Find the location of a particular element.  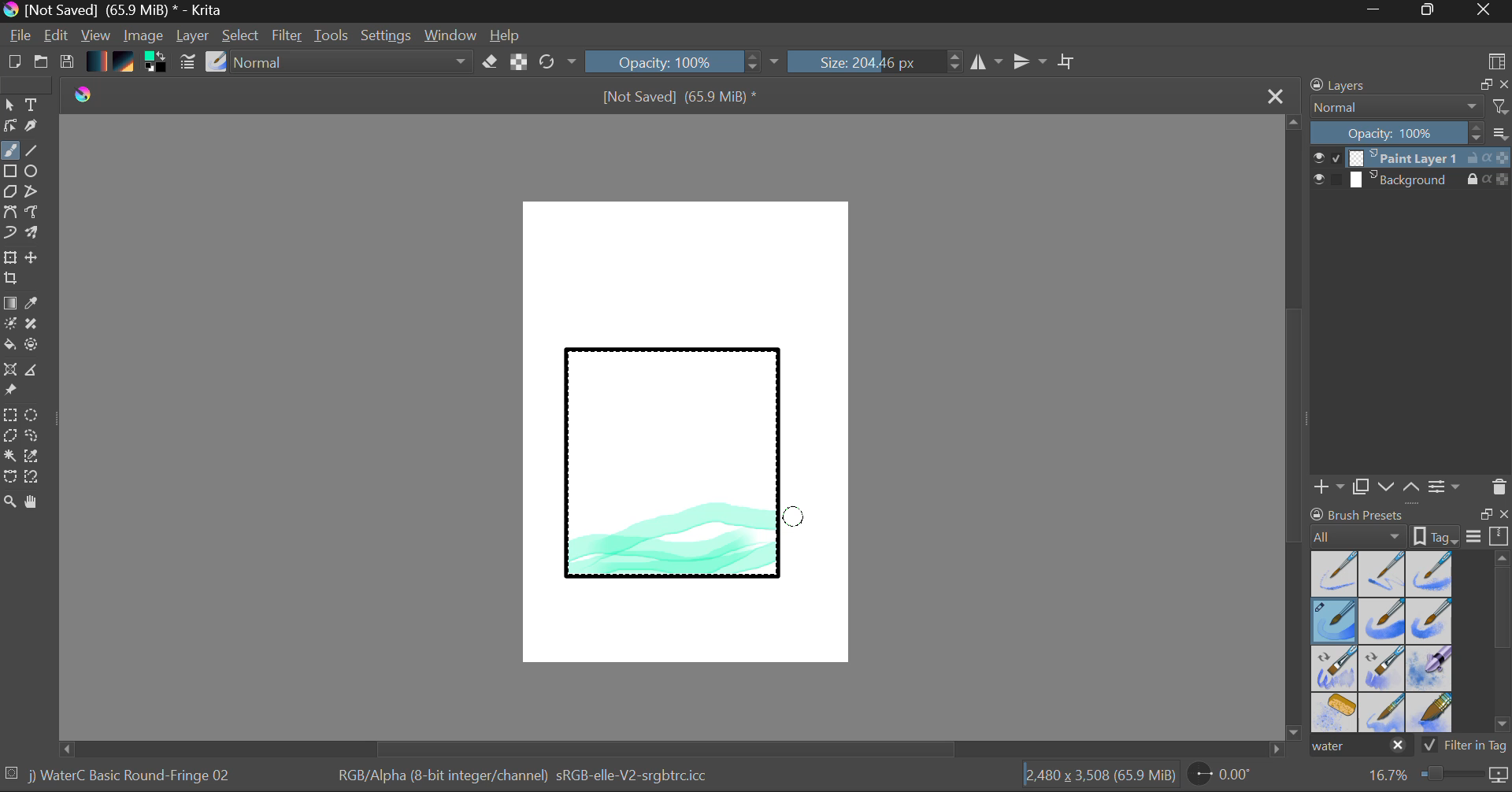

Calligraphic Tool is located at coordinates (37, 129).